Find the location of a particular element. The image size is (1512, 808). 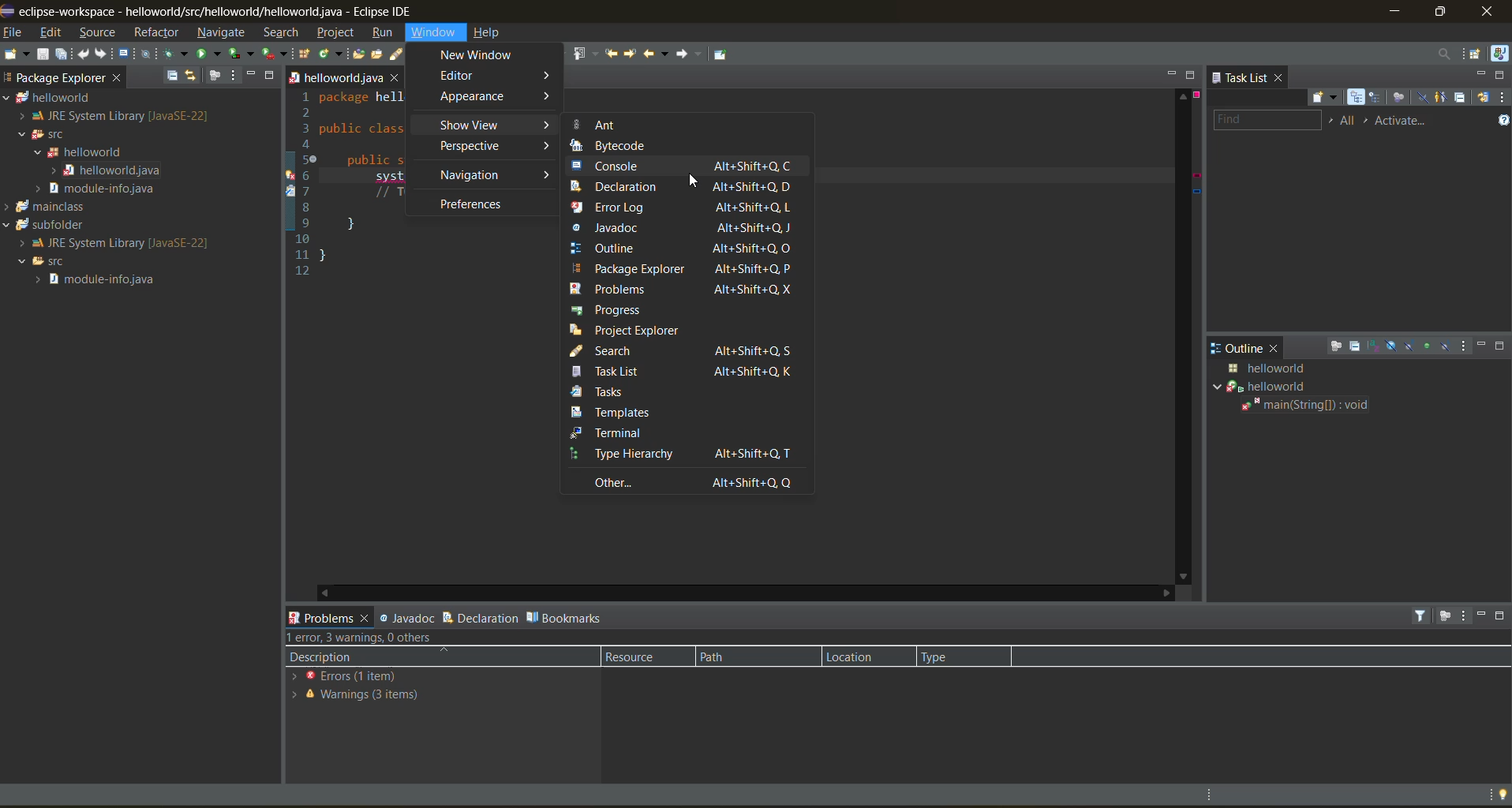

error info is located at coordinates (1195, 151).